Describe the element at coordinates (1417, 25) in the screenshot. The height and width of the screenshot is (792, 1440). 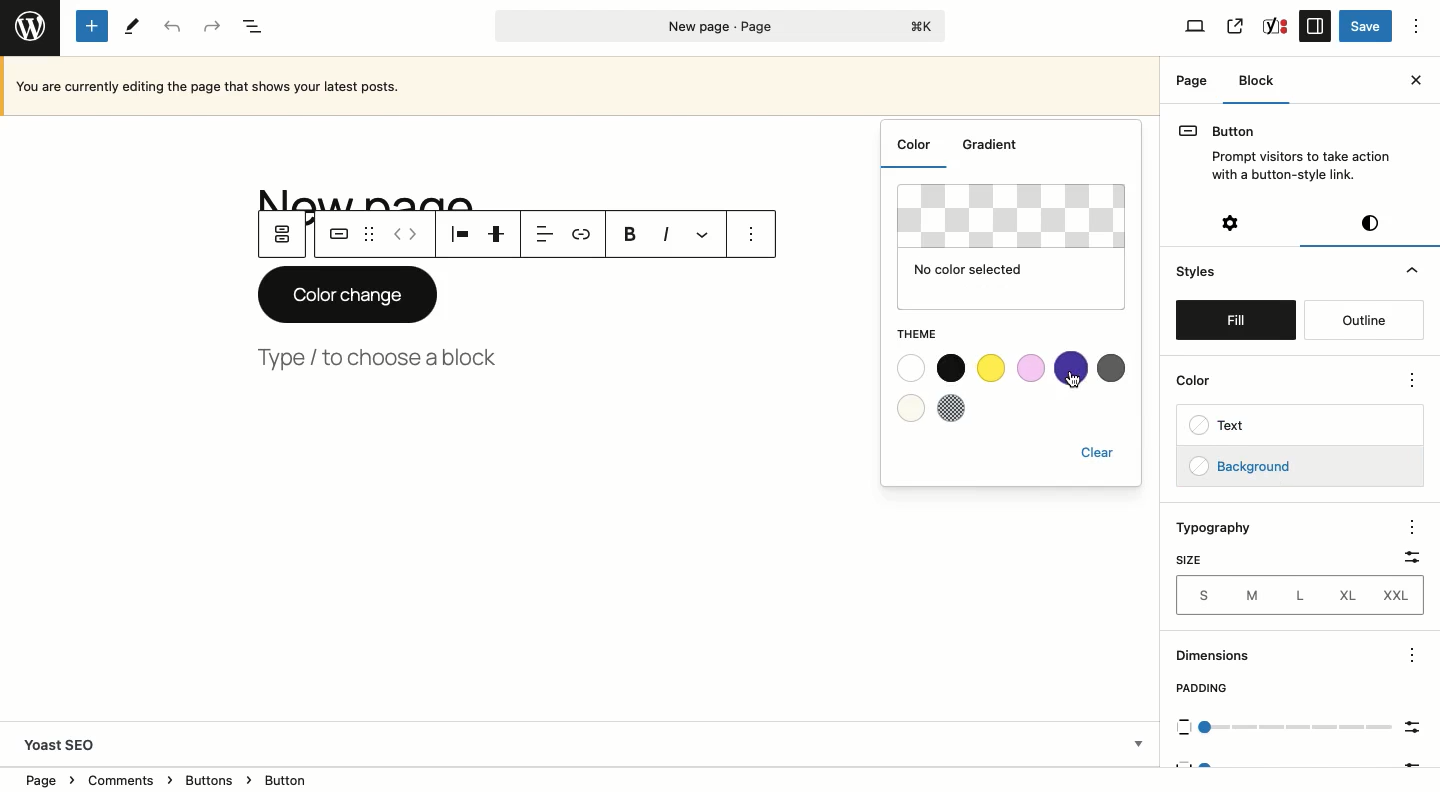
I see `Options` at that location.